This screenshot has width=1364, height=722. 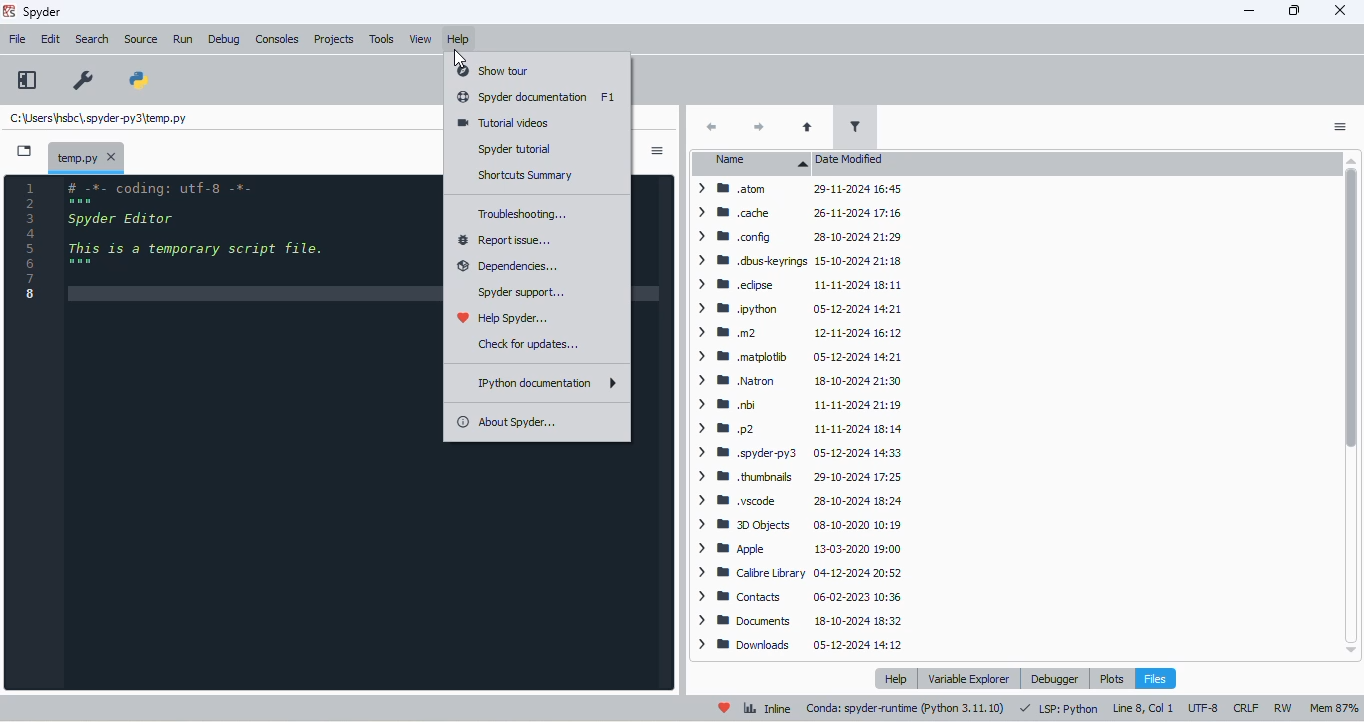 I want to click on about spyder, so click(x=506, y=422).